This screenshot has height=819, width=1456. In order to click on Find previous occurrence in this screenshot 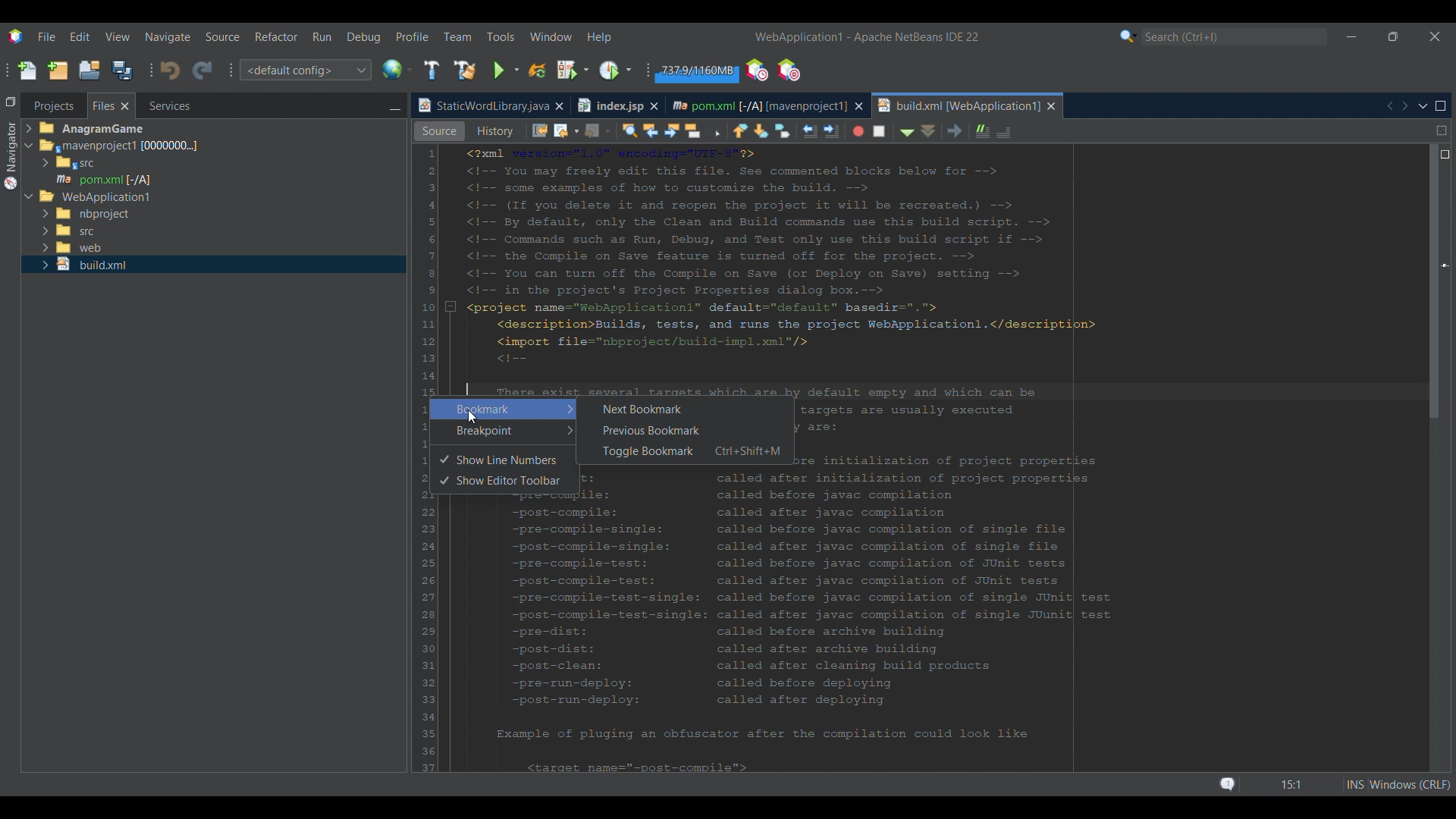, I will do `click(788, 132)`.